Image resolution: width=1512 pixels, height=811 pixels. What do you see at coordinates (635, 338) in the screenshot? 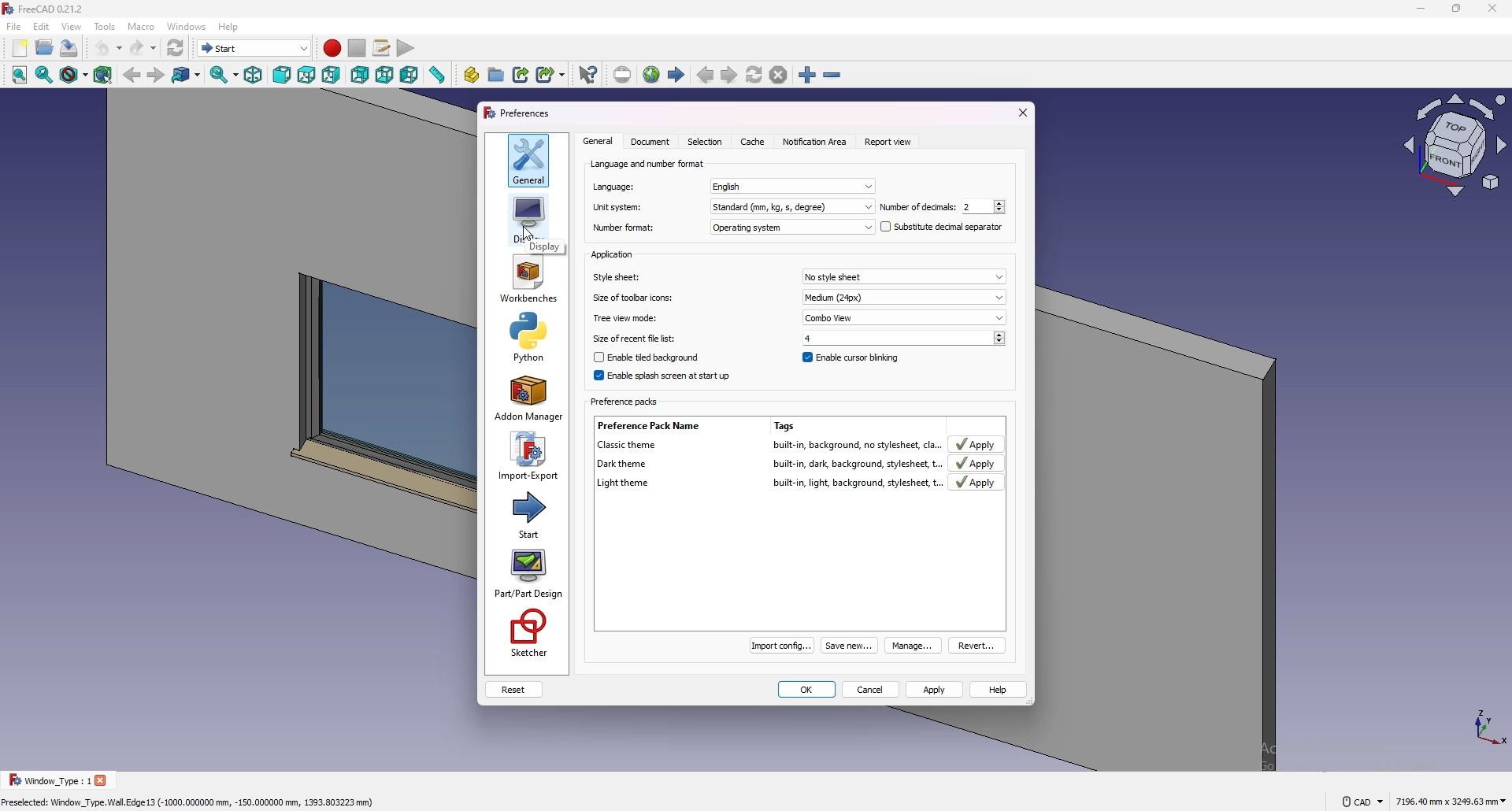
I see `Size of recent file list;` at bounding box center [635, 338].